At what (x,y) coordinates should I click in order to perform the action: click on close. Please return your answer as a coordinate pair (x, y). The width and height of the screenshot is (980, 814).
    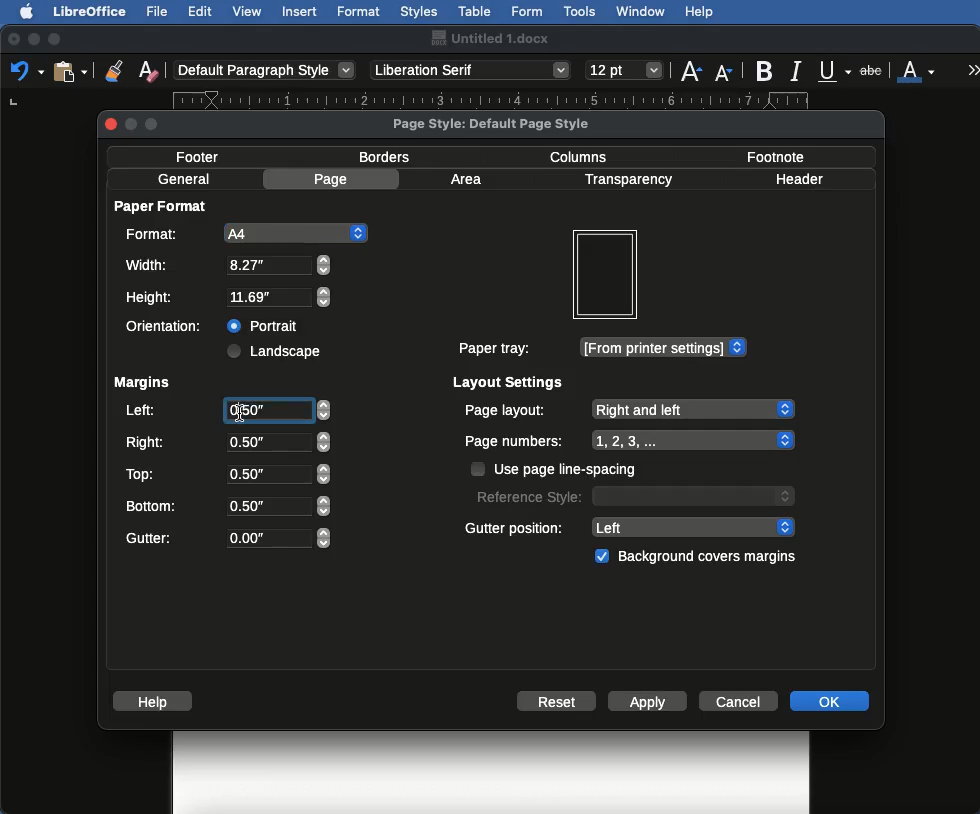
    Looking at the image, I should click on (110, 126).